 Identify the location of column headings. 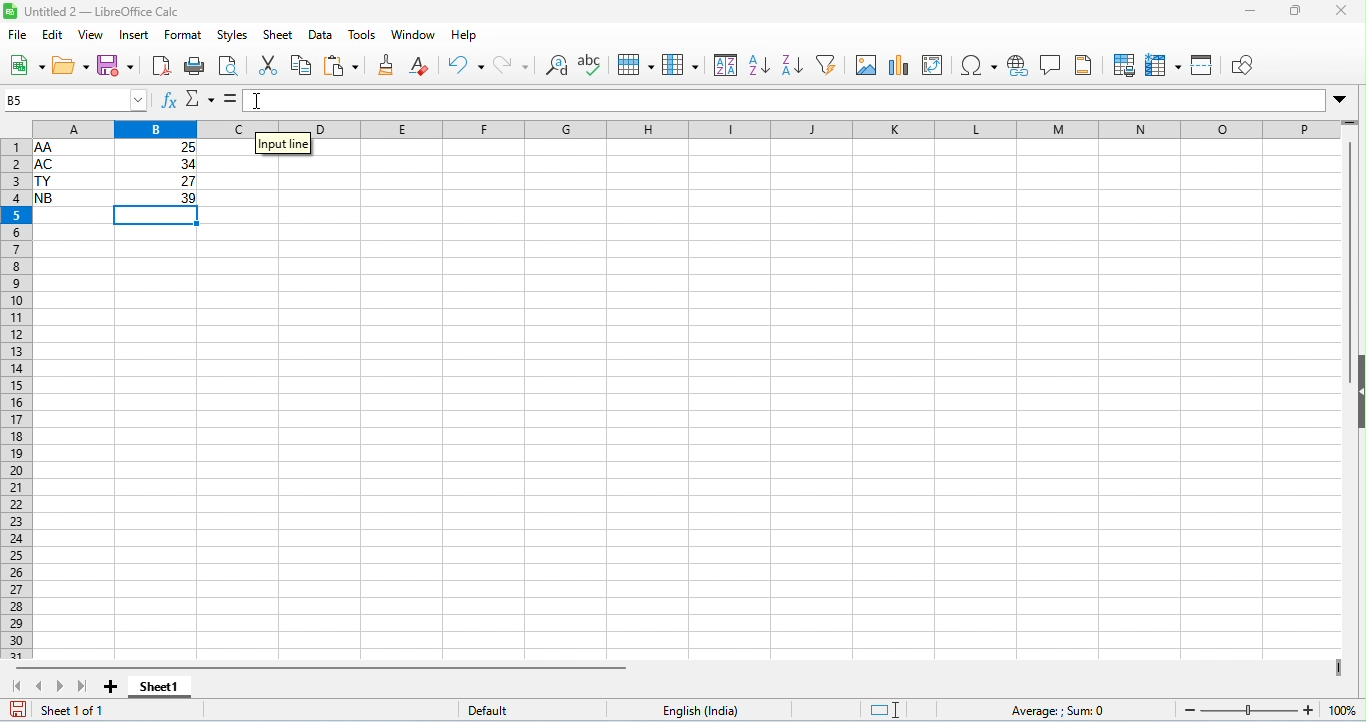
(679, 128).